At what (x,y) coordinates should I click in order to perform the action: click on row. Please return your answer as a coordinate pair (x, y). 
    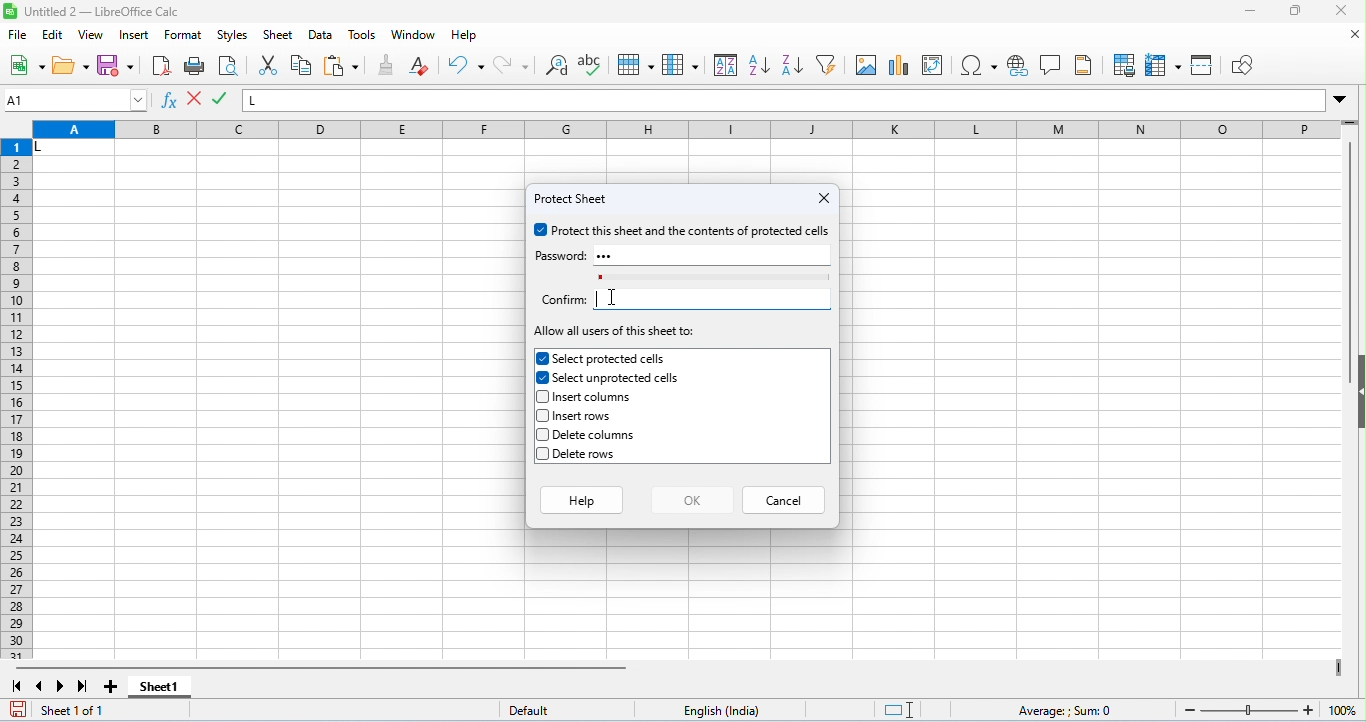
    Looking at the image, I should click on (635, 65).